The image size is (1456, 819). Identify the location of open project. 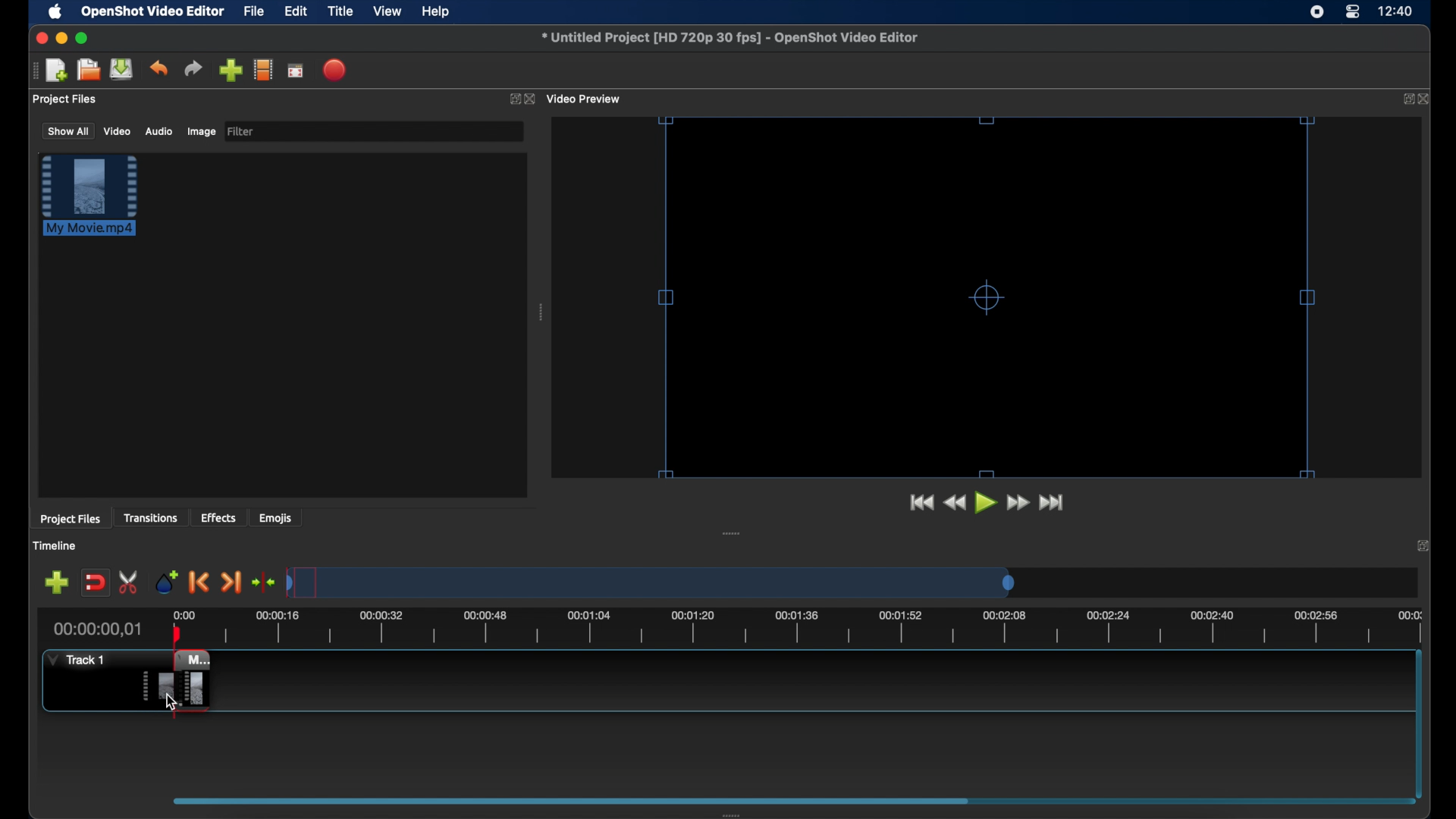
(88, 70).